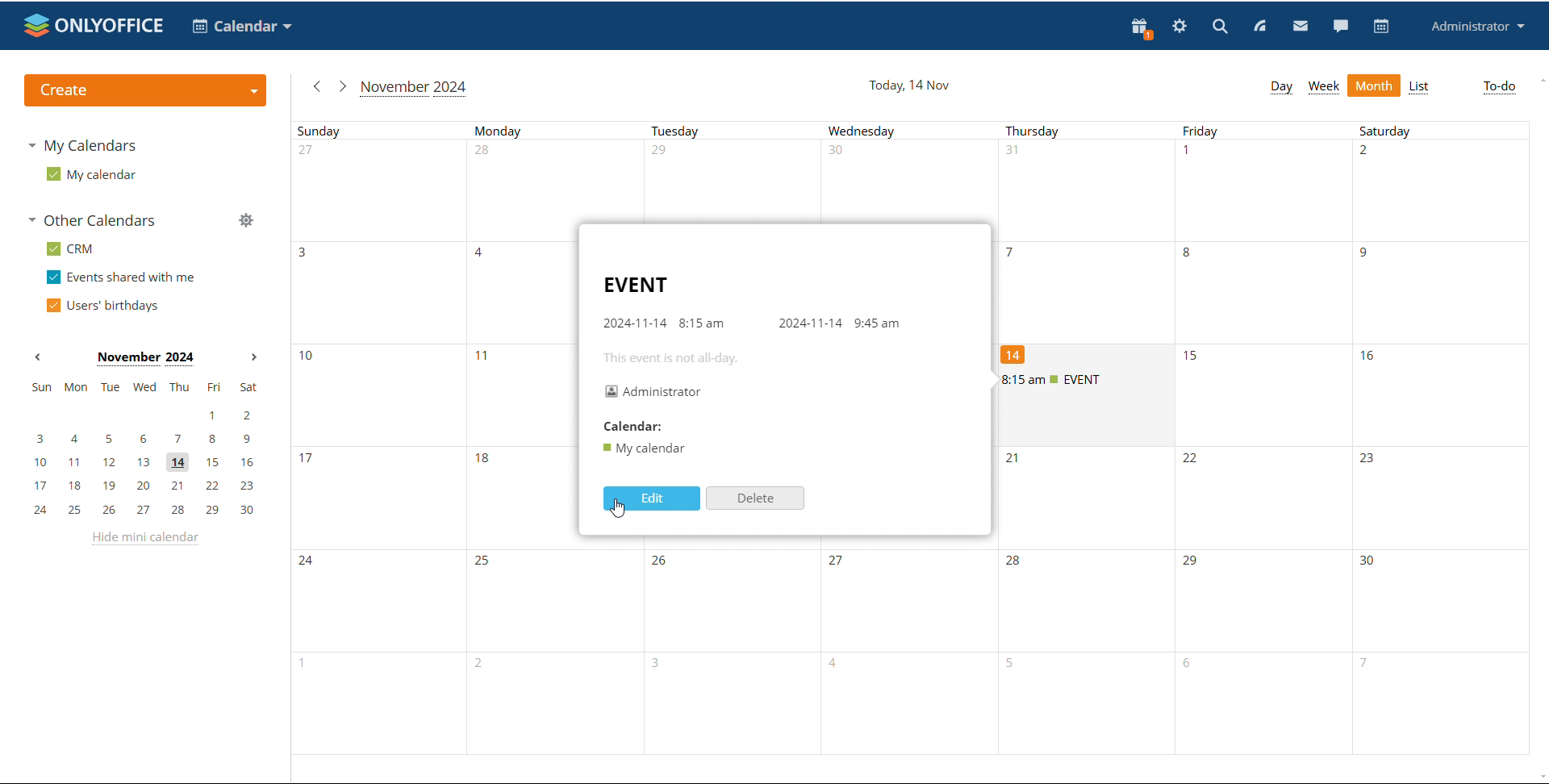 The image size is (1549, 784). What do you see at coordinates (121, 277) in the screenshot?
I see `events shared with me` at bounding box center [121, 277].